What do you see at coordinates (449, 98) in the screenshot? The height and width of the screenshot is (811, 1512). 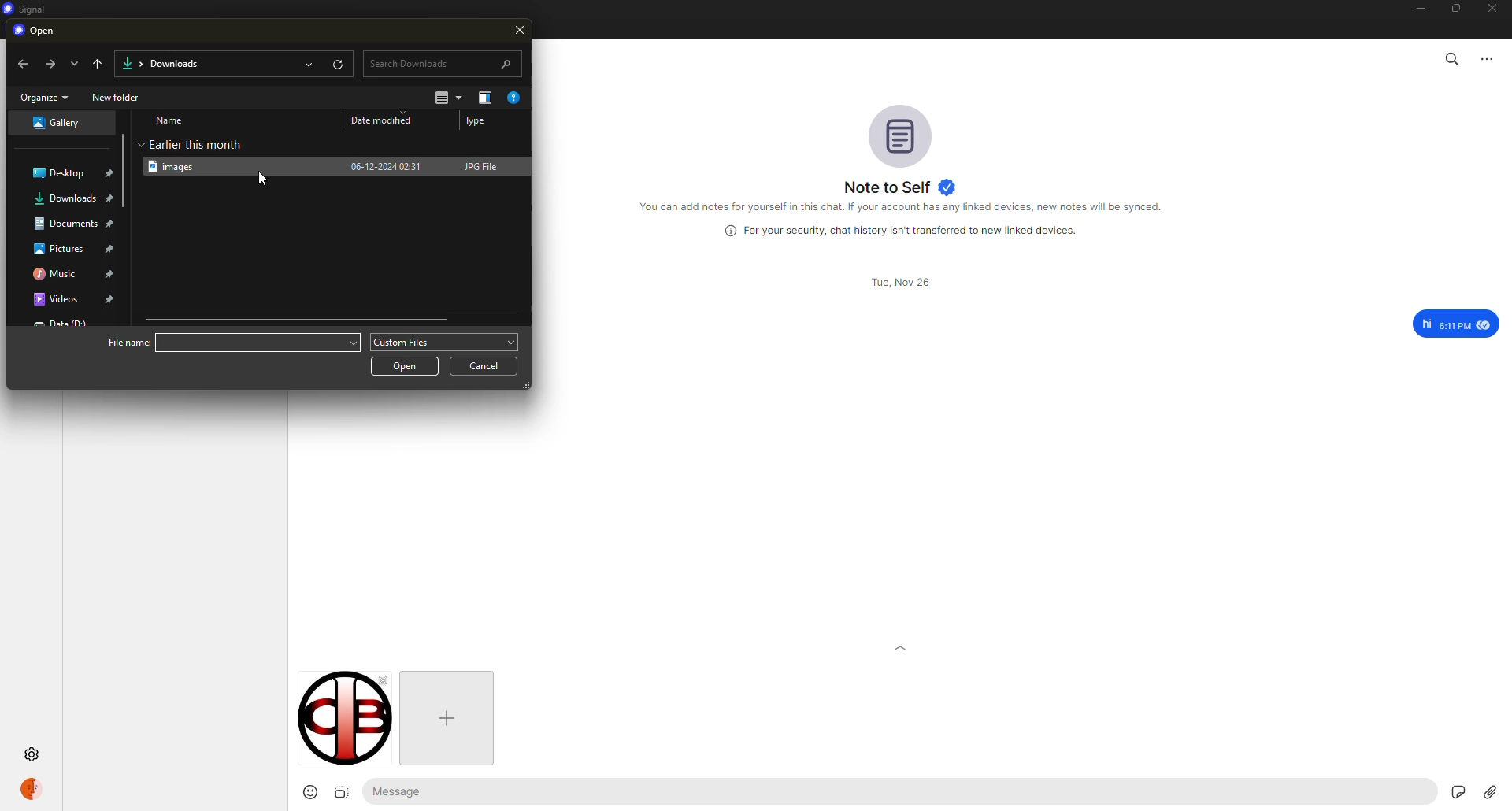 I see `sort` at bounding box center [449, 98].